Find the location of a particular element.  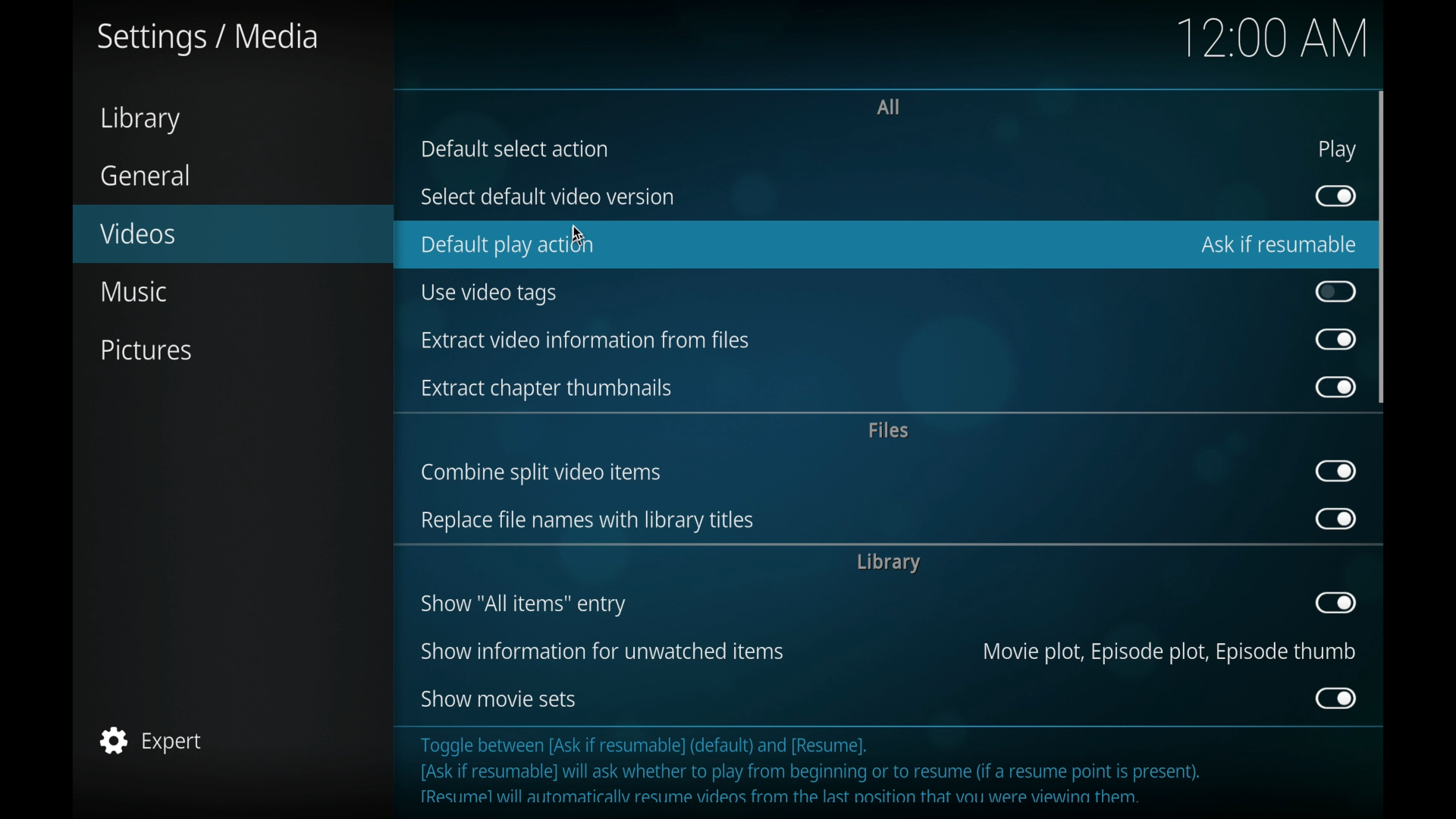

show movie sets is located at coordinates (499, 698).